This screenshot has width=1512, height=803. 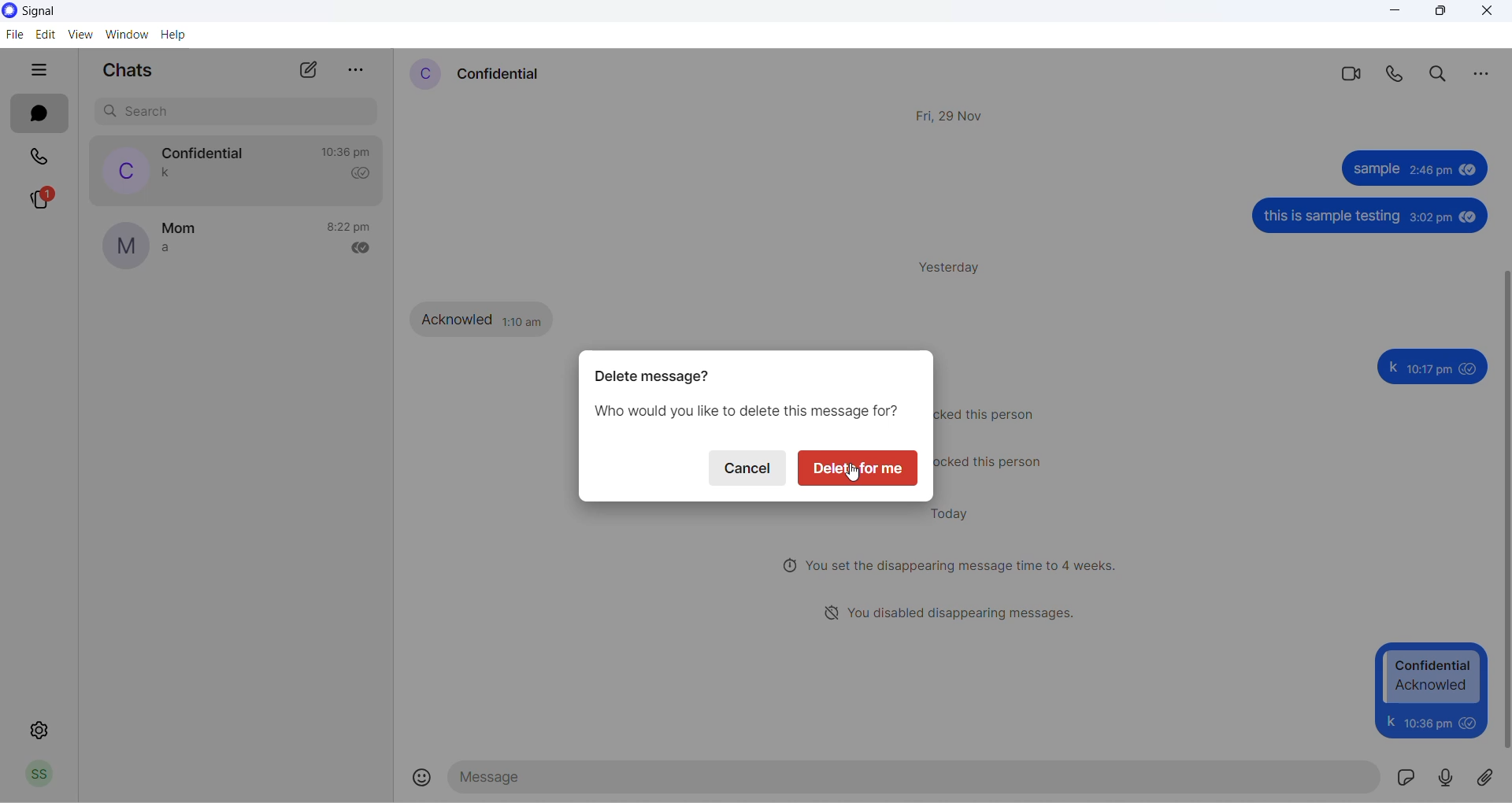 I want to click on seen, so click(x=1463, y=169).